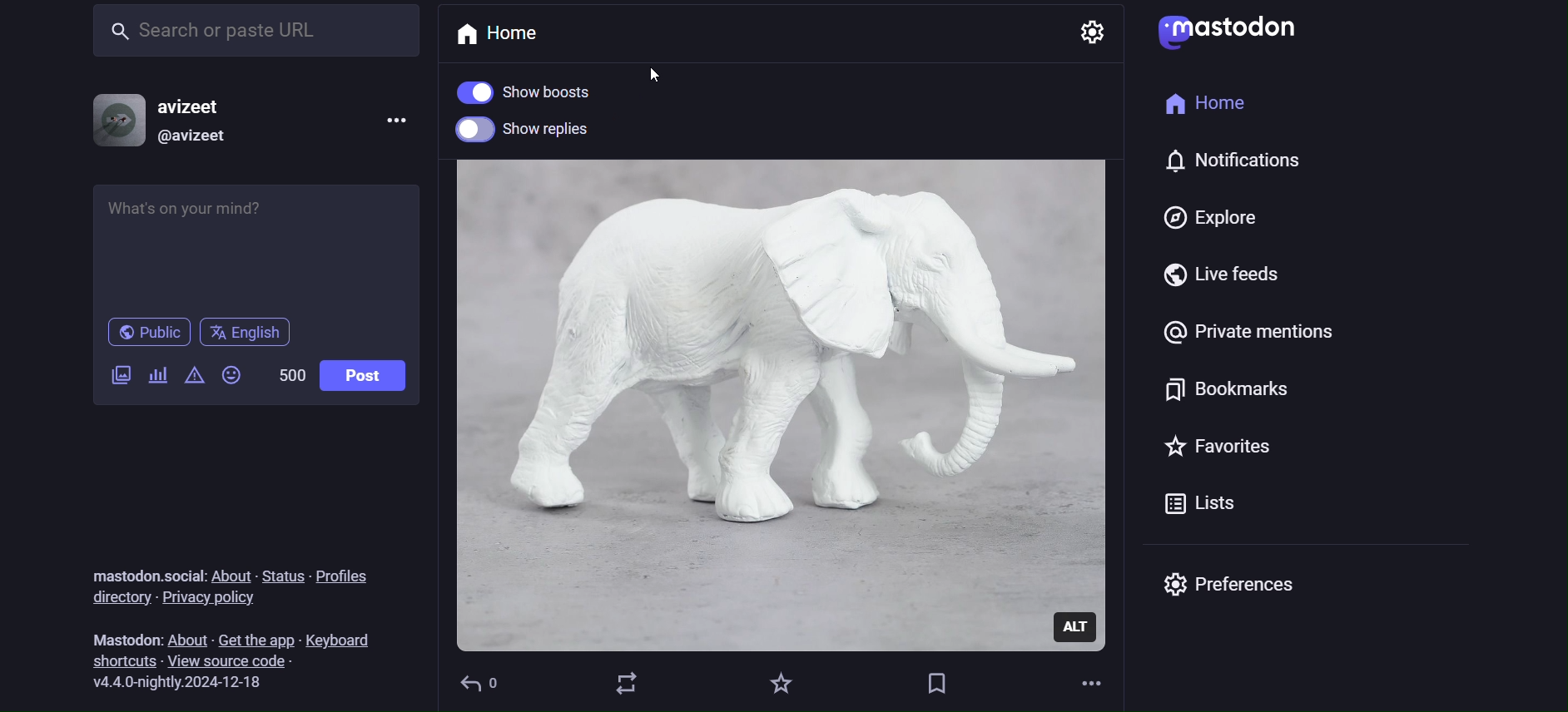 This screenshot has width=1568, height=712. I want to click on boost, so click(628, 683).